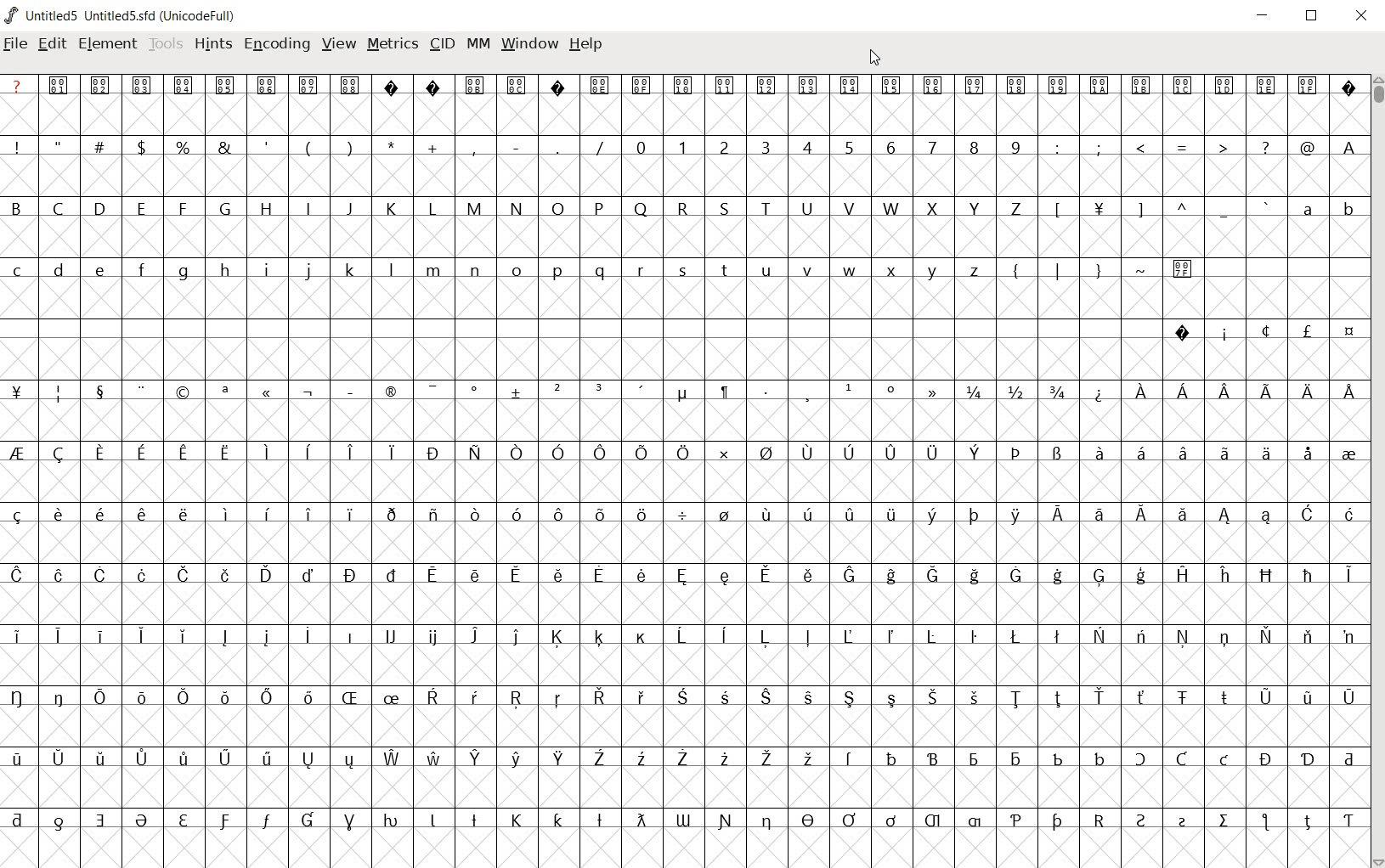 The height and width of the screenshot is (868, 1385). I want to click on Symbol, so click(848, 635).